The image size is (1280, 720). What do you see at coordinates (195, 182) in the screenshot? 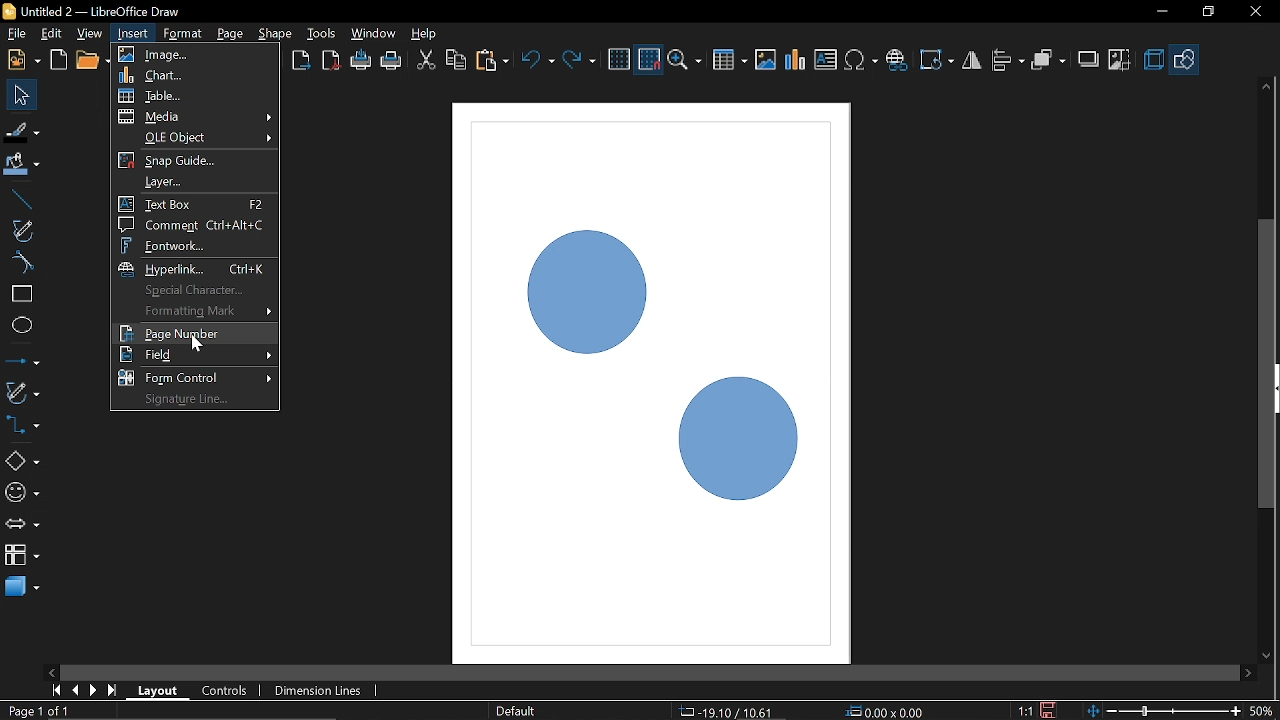
I see `Layer` at bounding box center [195, 182].